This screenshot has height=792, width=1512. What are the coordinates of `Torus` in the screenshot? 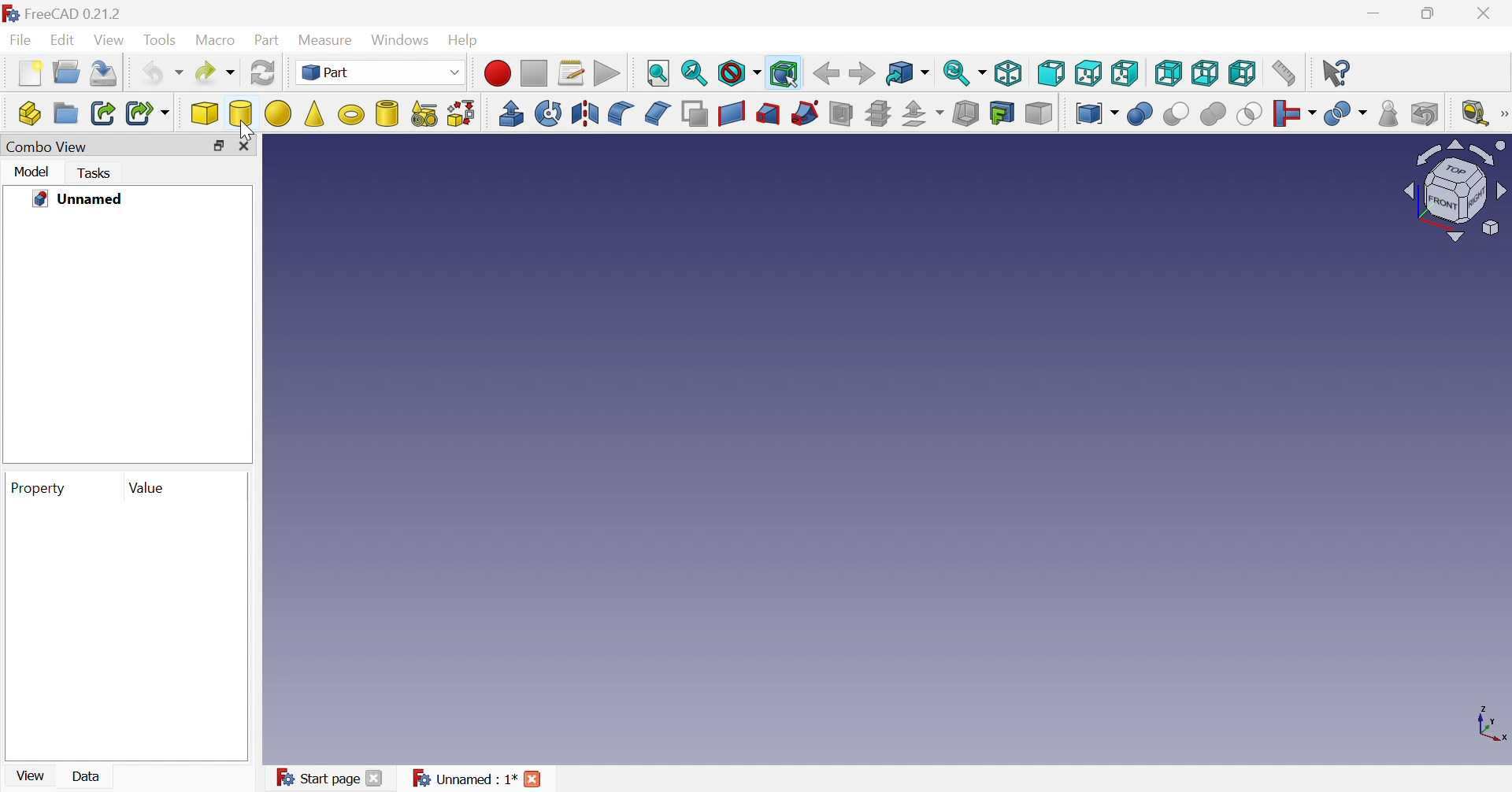 It's located at (352, 113).